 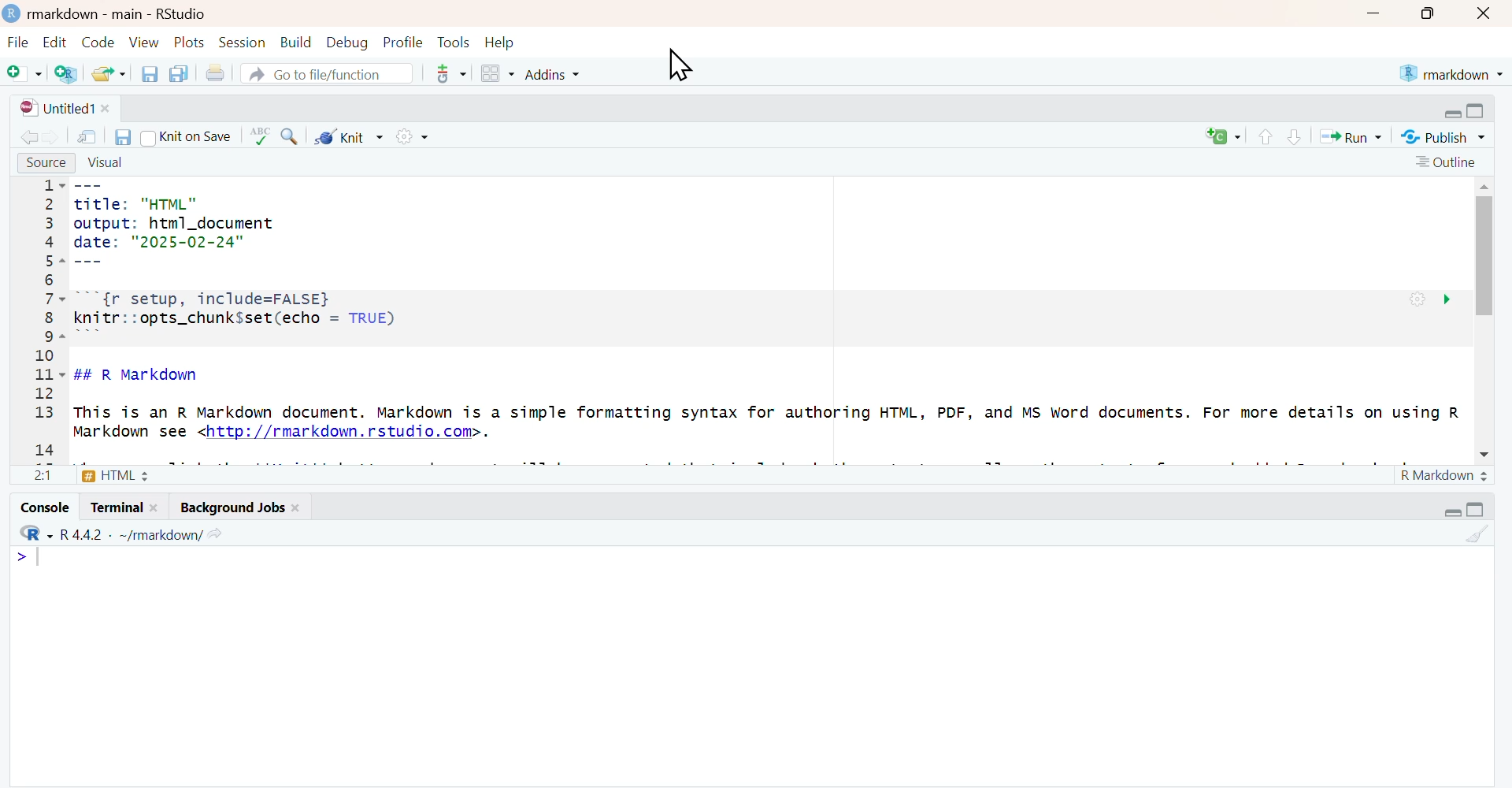 What do you see at coordinates (121, 136) in the screenshot?
I see `save current document` at bounding box center [121, 136].